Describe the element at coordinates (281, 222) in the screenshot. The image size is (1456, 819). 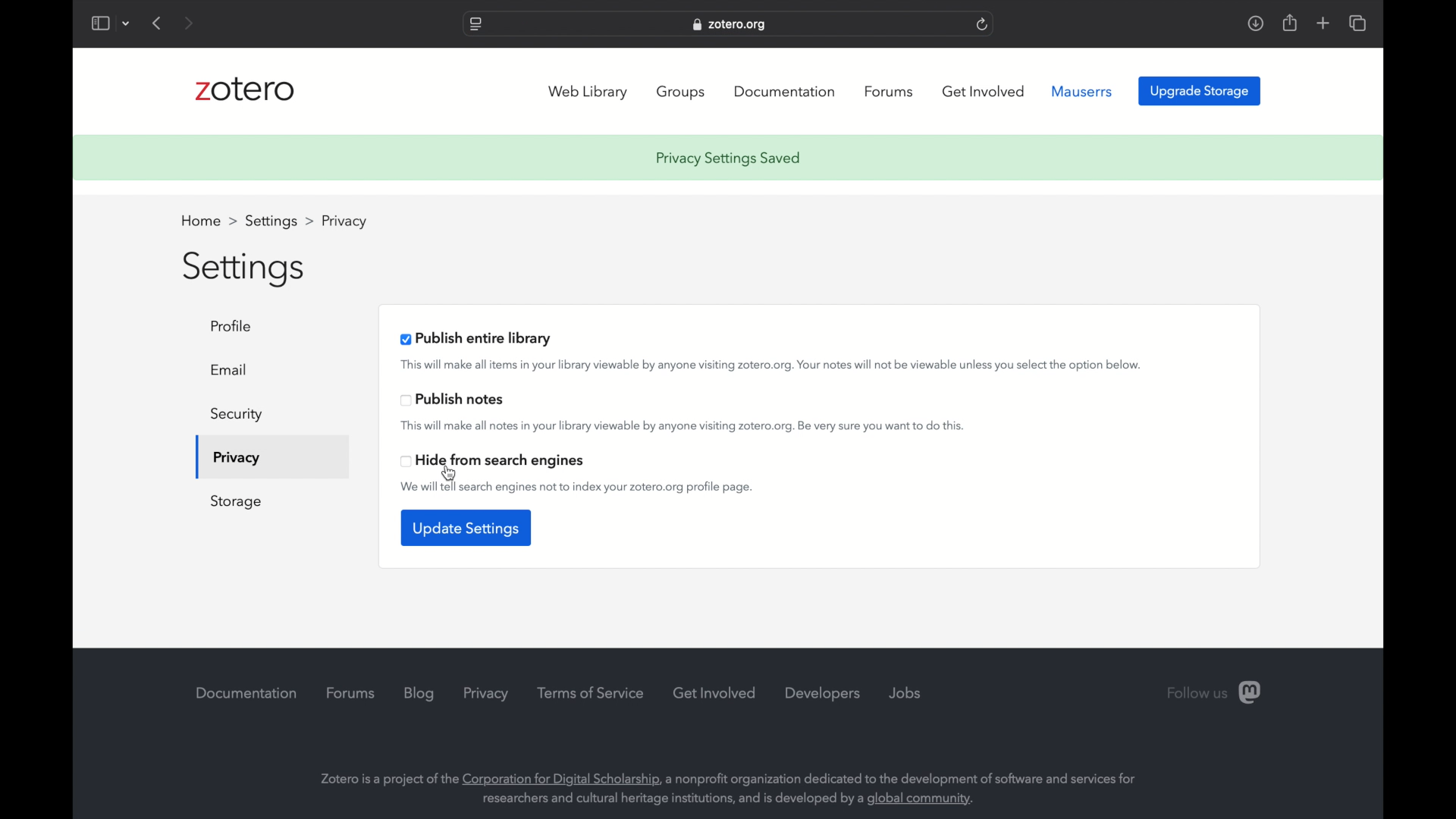
I see `settings` at that location.